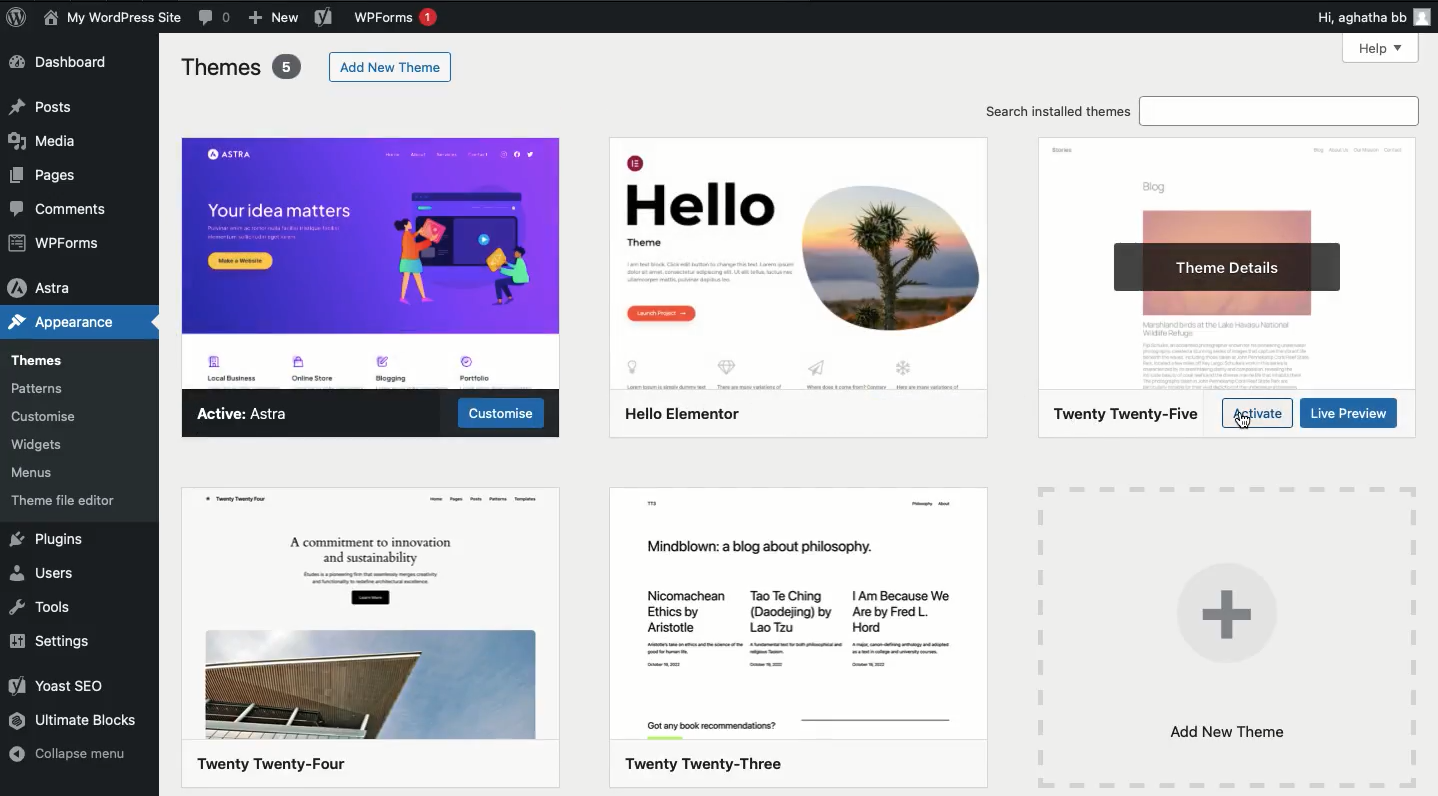  Describe the element at coordinates (40, 605) in the screenshot. I see `Tools` at that location.